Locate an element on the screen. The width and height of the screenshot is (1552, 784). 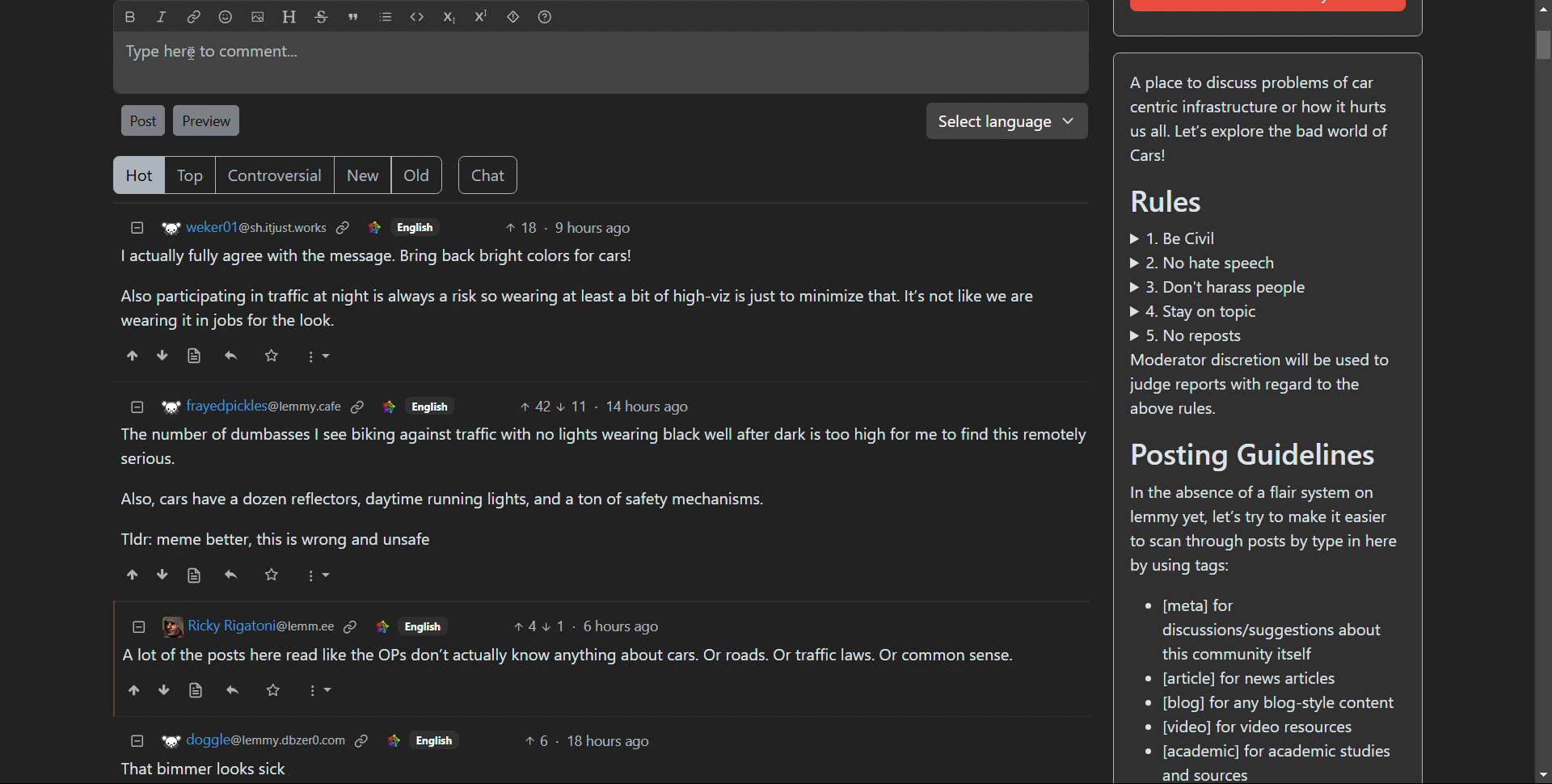
14 hours ago is located at coordinates (647, 407).